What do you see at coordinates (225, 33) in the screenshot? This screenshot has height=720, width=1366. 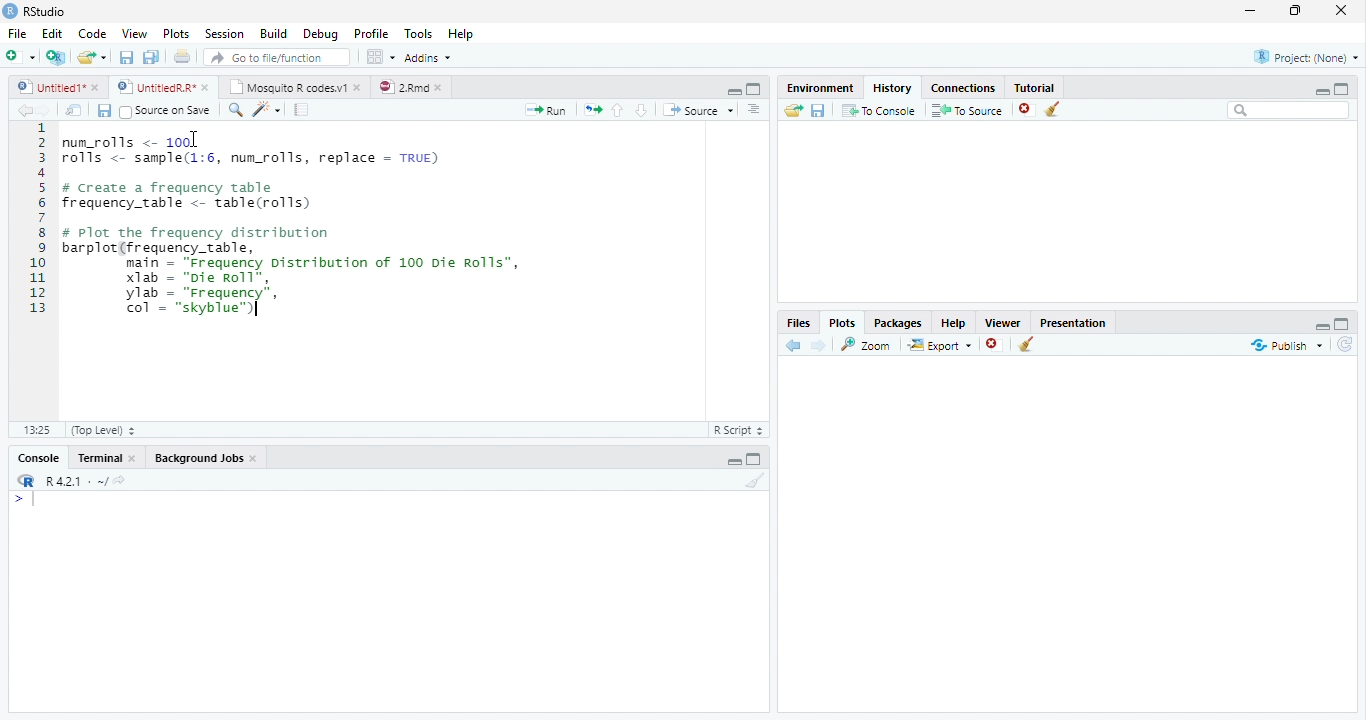 I see `Session` at bounding box center [225, 33].